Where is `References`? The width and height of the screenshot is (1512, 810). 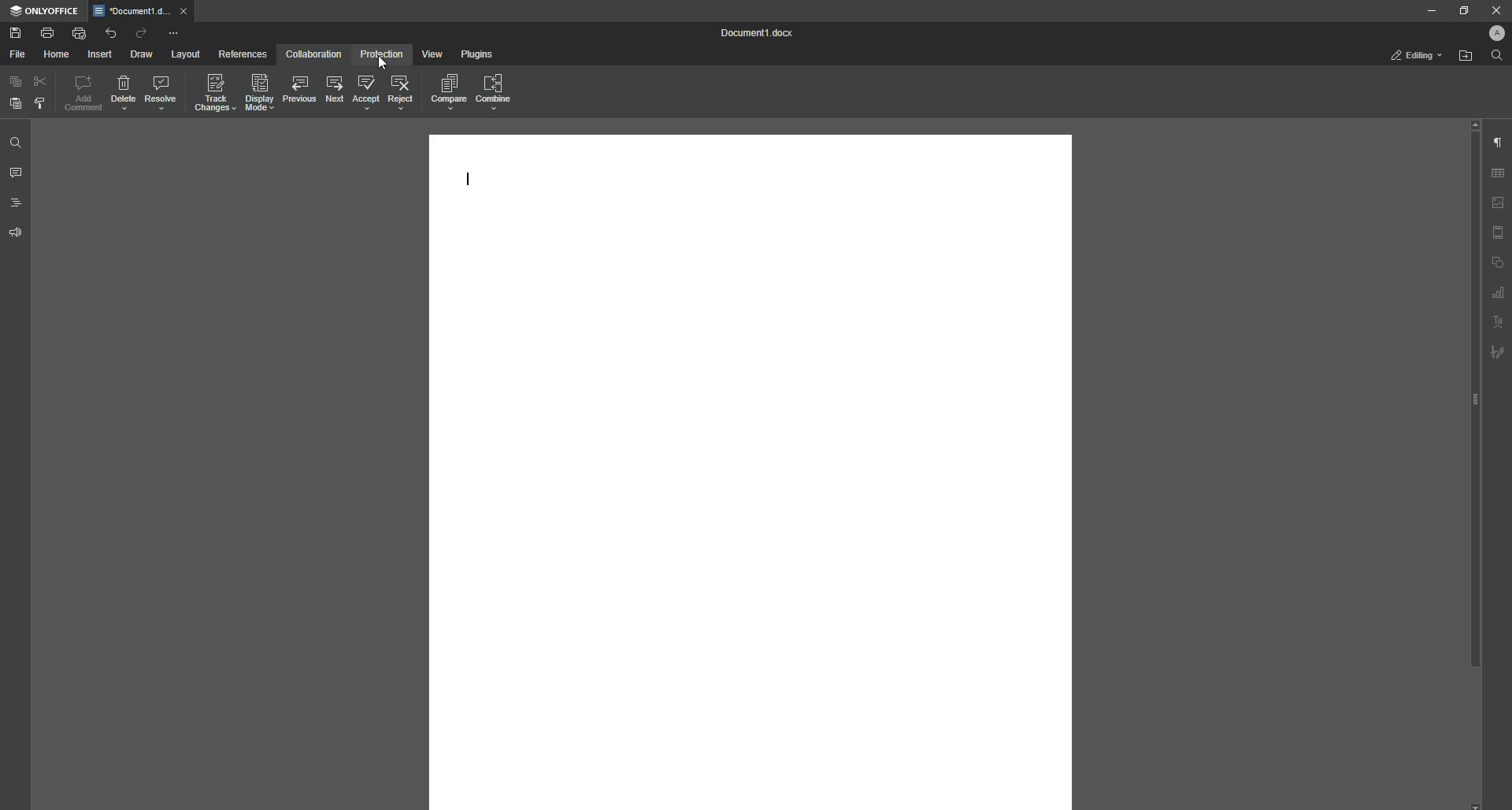 References is located at coordinates (242, 54).